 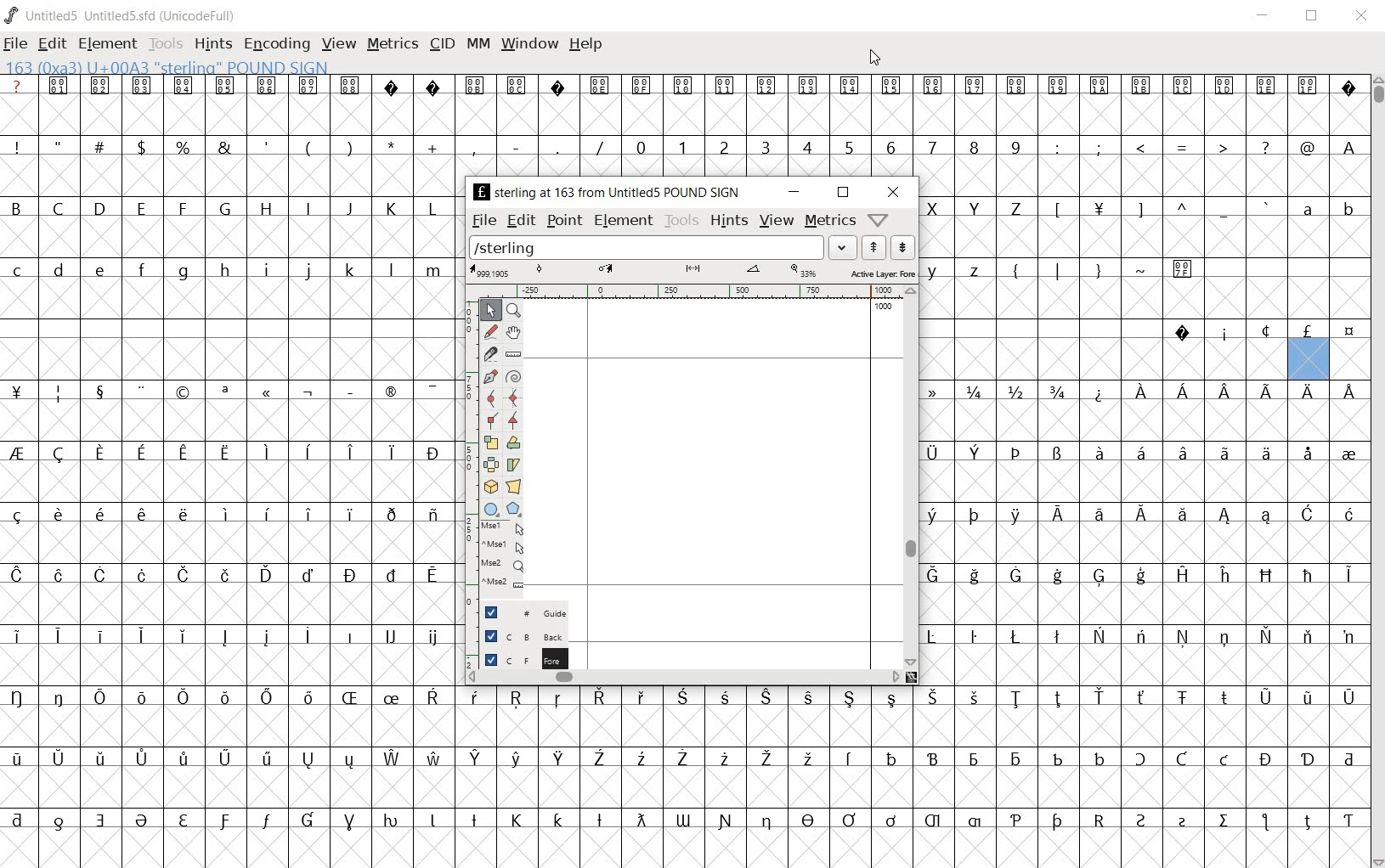 What do you see at coordinates (266, 576) in the screenshot?
I see `Symbol` at bounding box center [266, 576].